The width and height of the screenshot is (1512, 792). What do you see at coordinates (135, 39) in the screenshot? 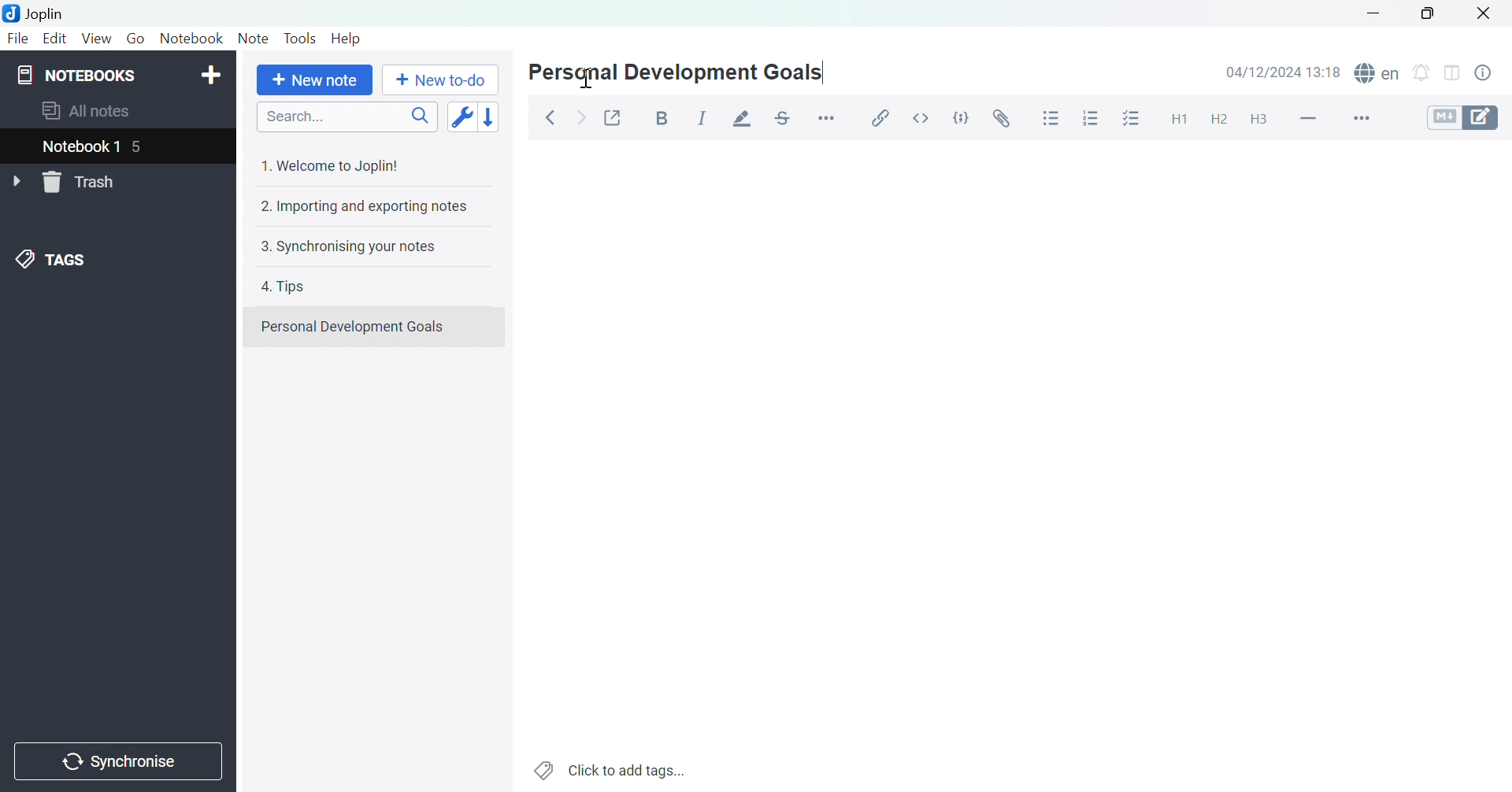
I see `Go` at bounding box center [135, 39].